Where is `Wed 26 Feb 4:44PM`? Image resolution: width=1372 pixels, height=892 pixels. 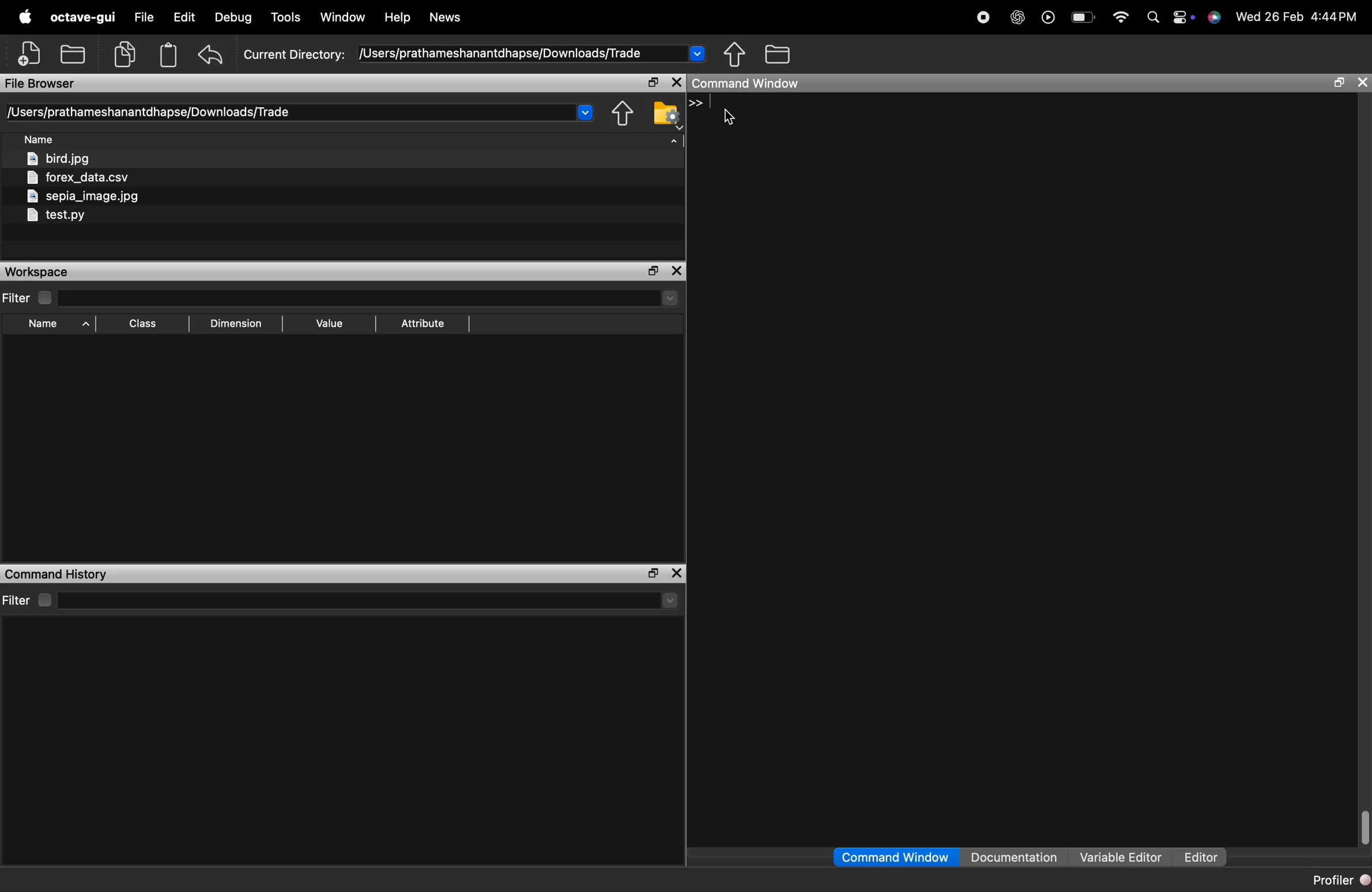 Wed 26 Feb 4:44PM is located at coordinates (1298, 17).